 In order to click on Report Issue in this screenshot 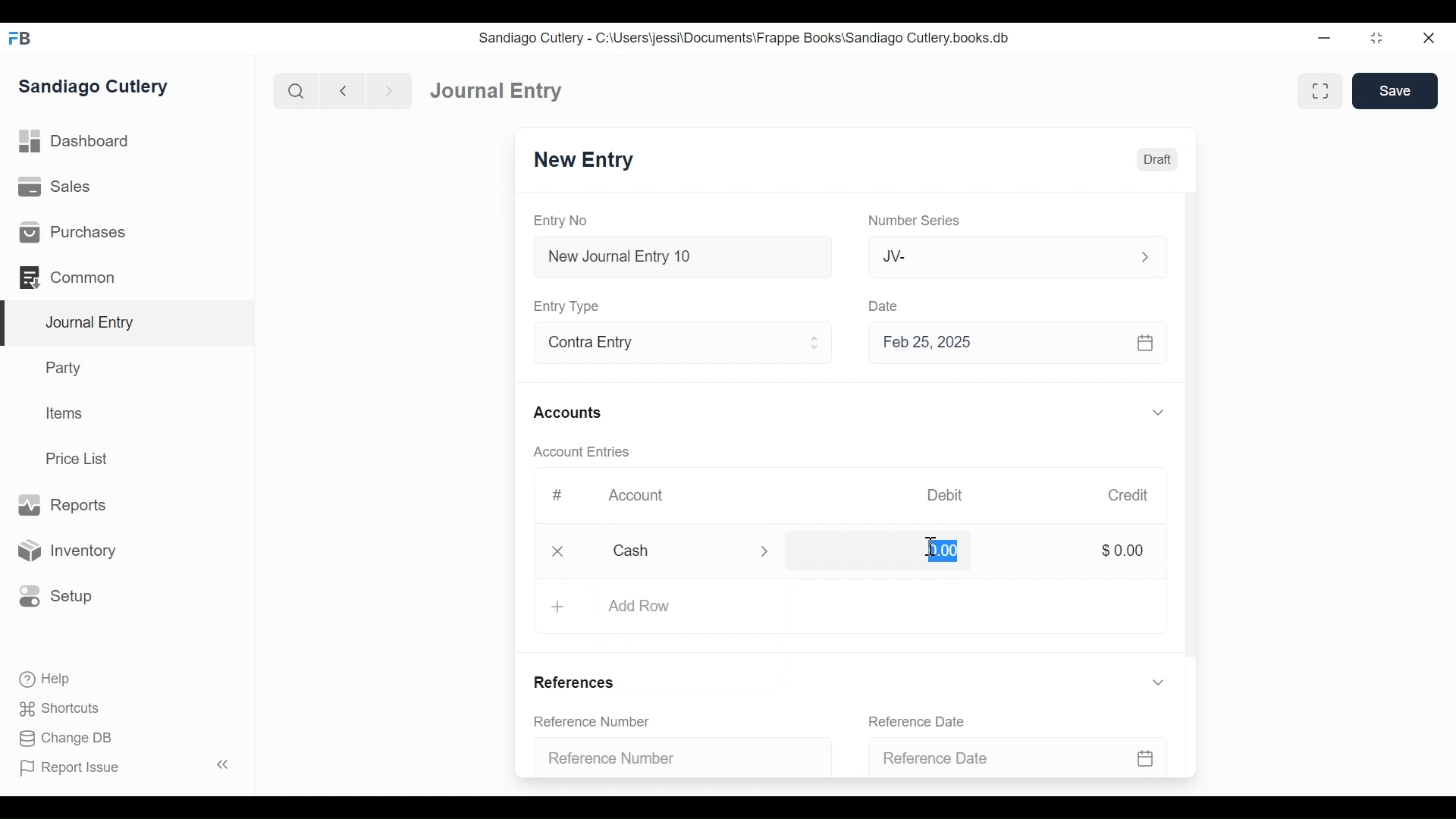, I will do `click(124, 767)`.